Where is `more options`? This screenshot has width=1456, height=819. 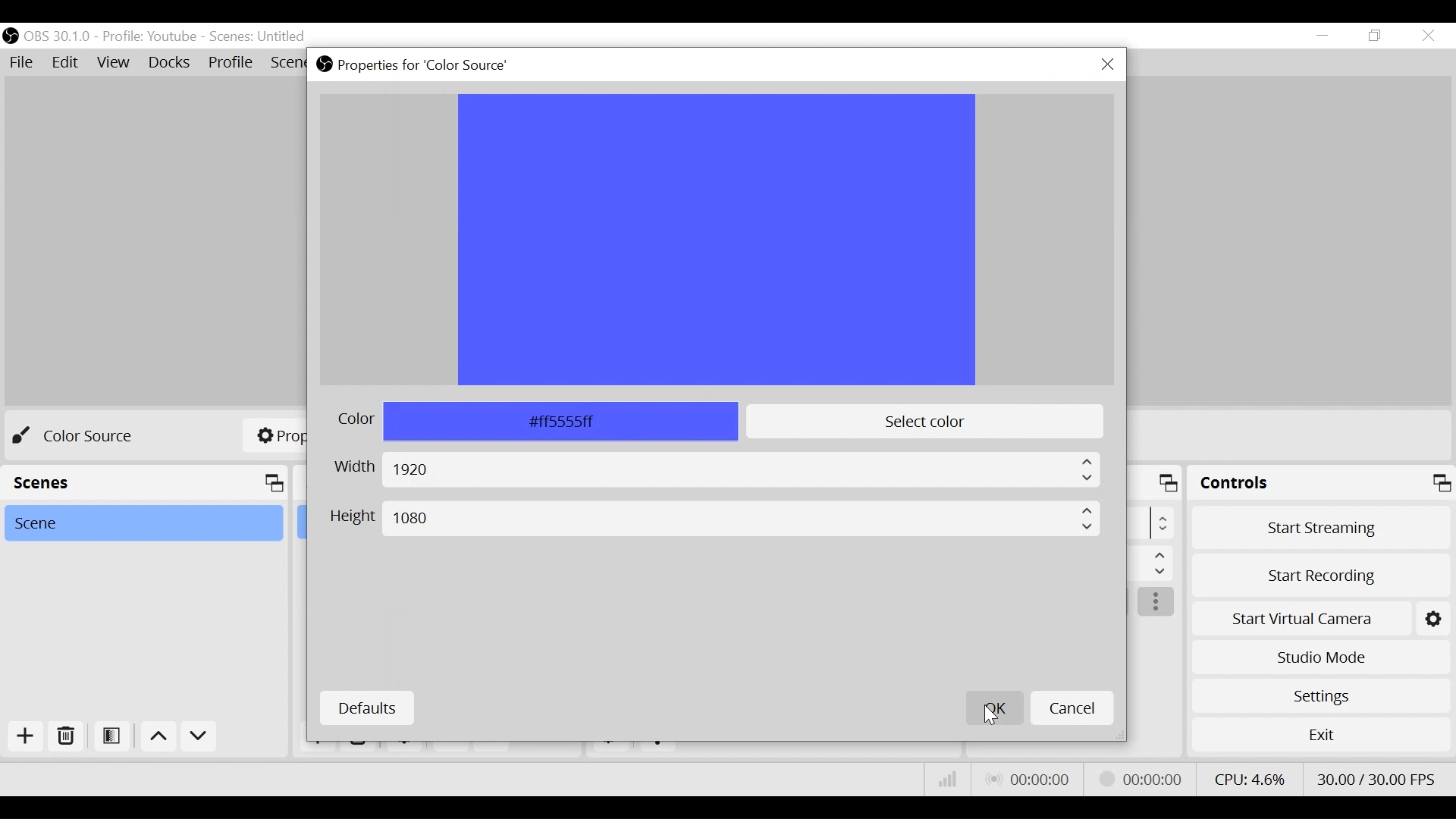 more options is located at coordinates (1157, 604).